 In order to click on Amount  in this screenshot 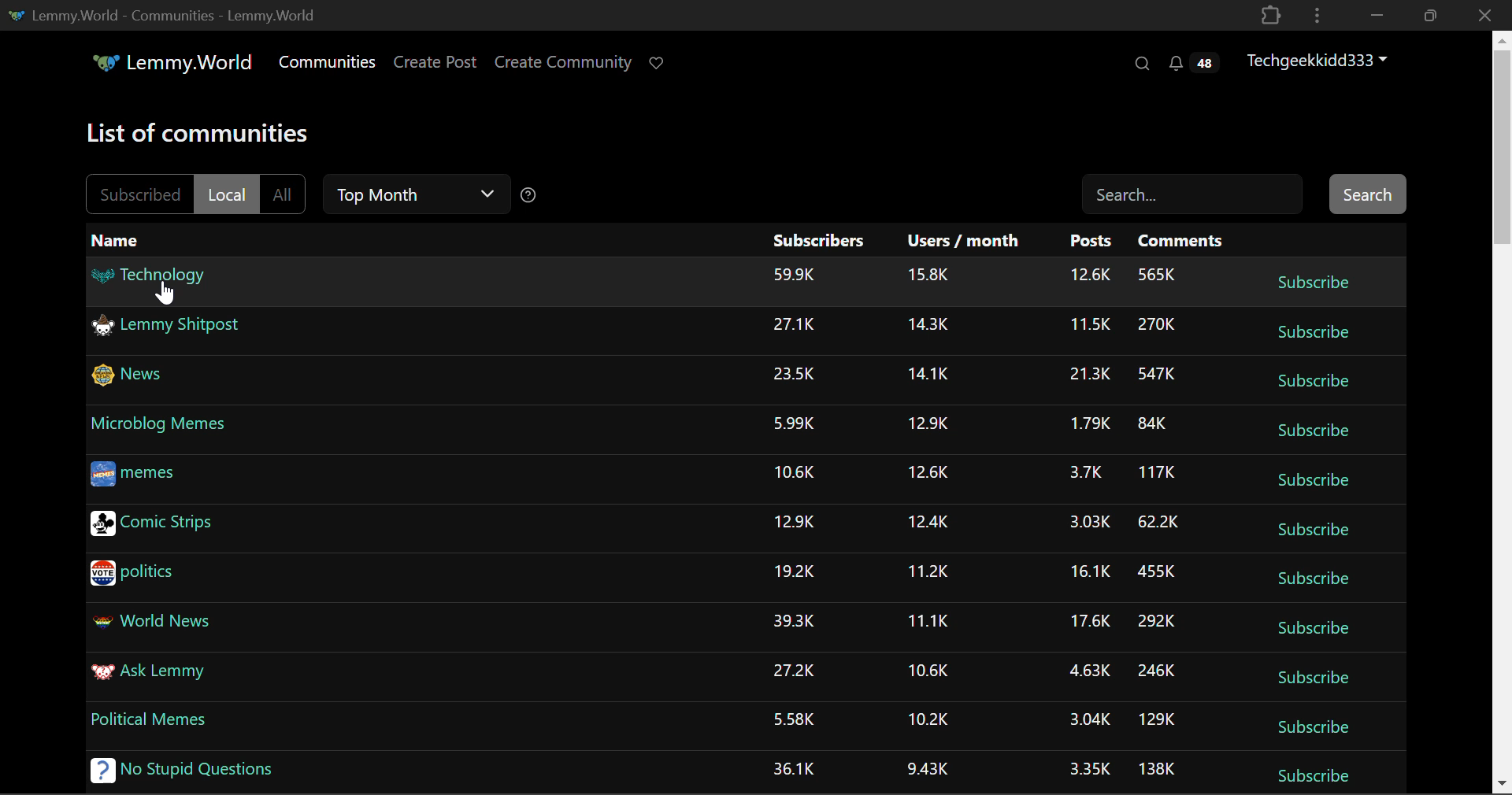, I will do `click(795, 325)`.